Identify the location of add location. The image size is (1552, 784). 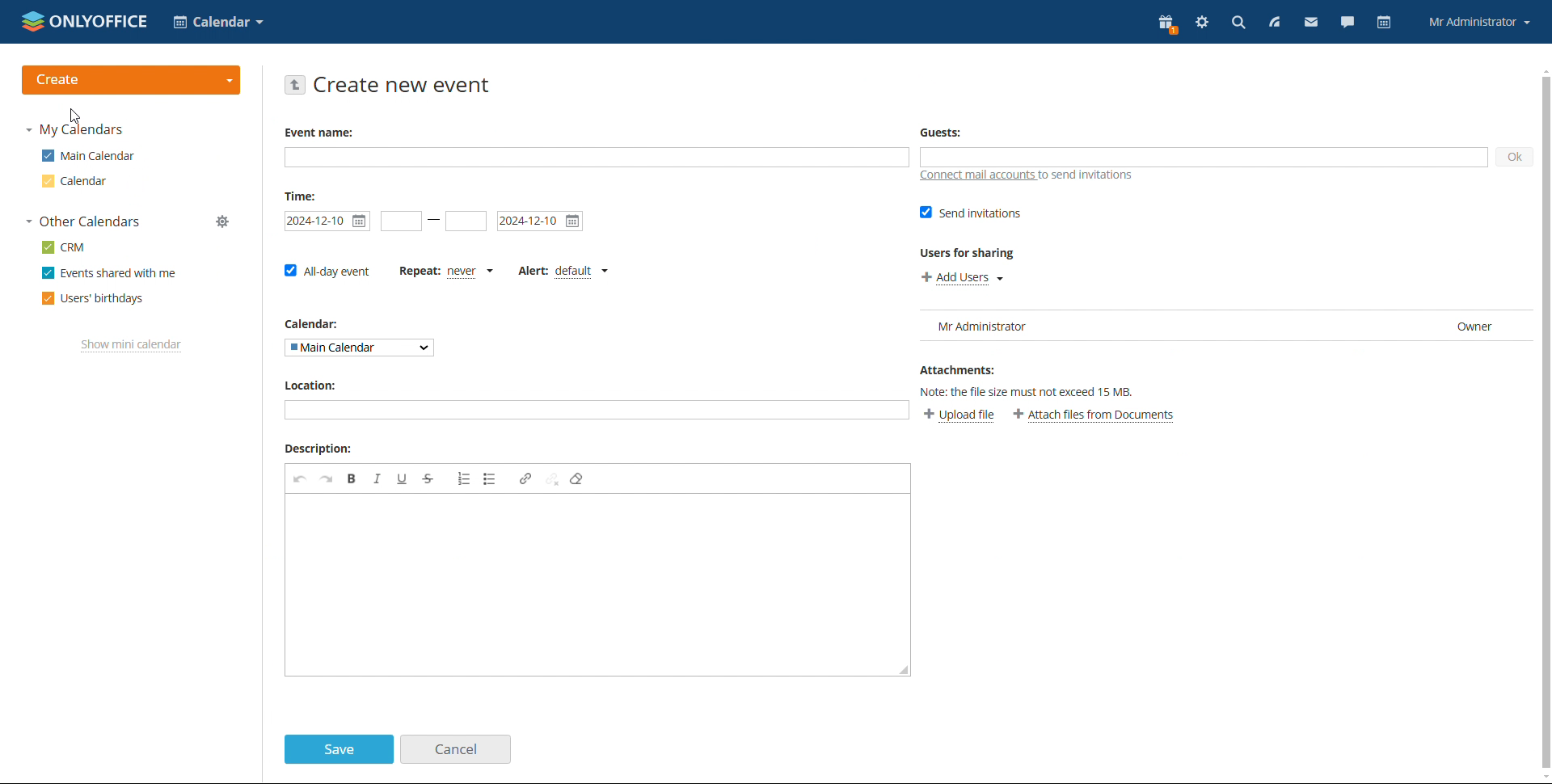
(586, 411).